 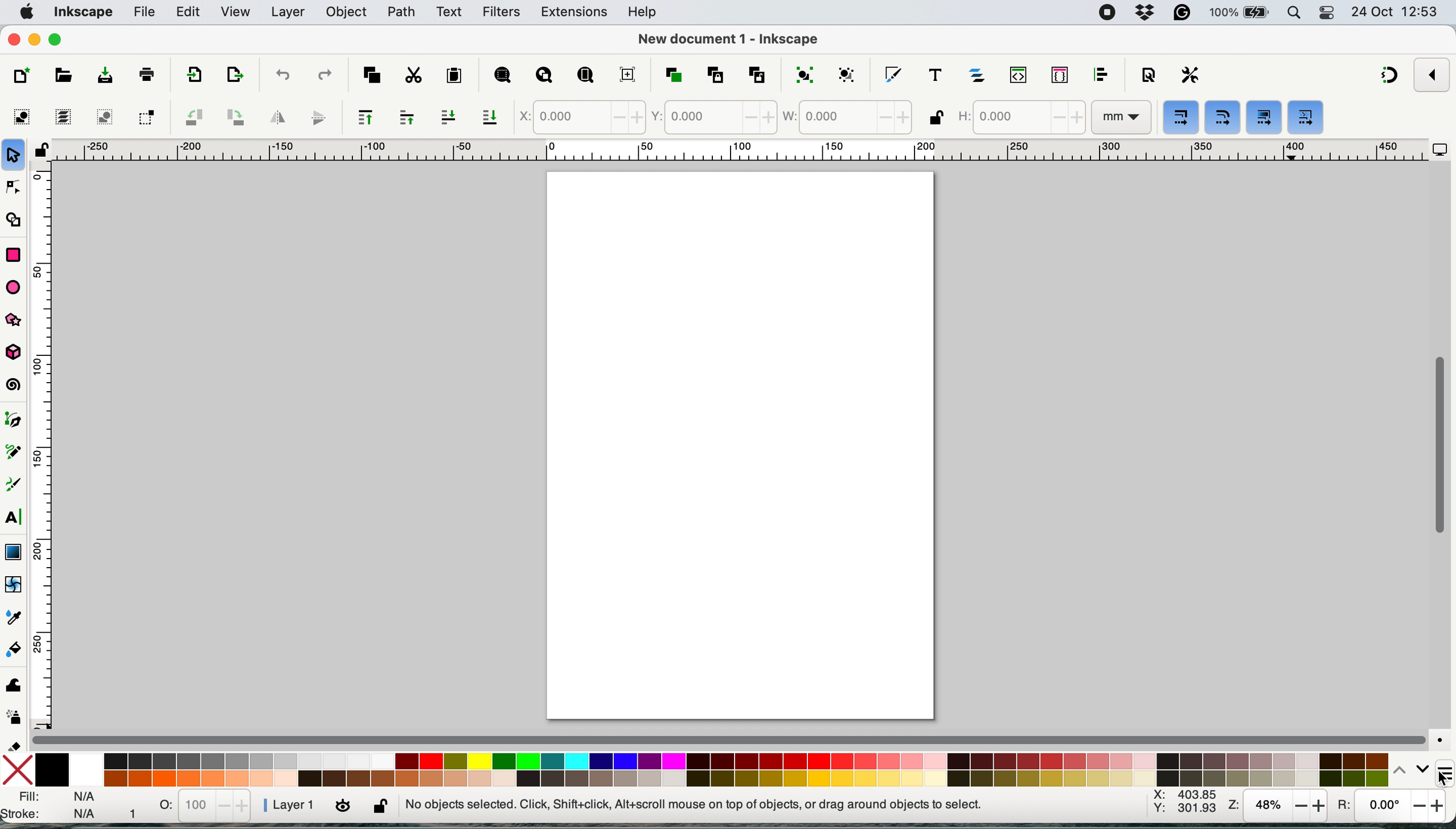 What do you see at coordinates (1412, 768) in the screenshot?
I see `switch between colors` at bounding box center [1412, 768].